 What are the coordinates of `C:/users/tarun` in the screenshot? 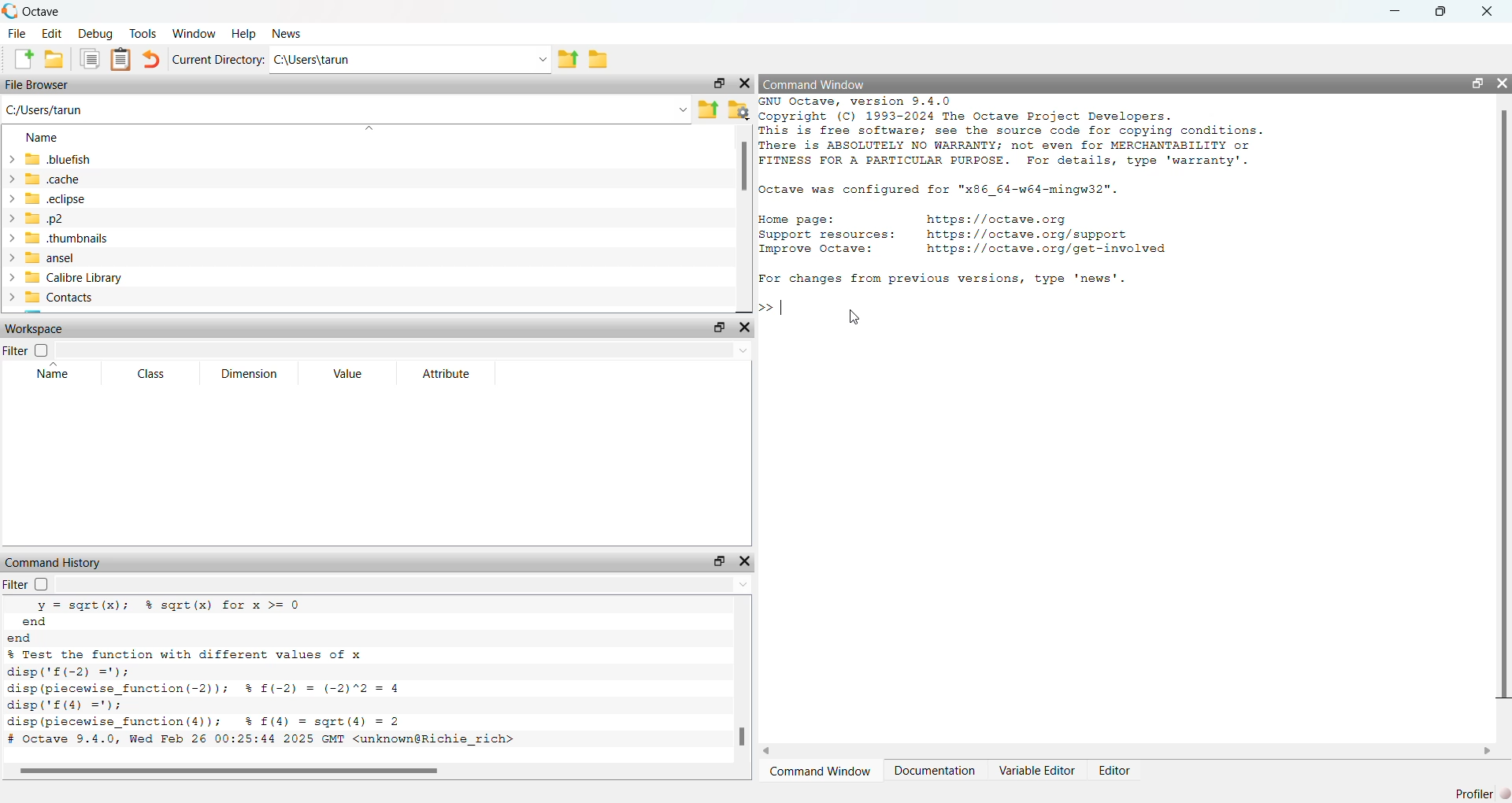 It's located at (346, 109).